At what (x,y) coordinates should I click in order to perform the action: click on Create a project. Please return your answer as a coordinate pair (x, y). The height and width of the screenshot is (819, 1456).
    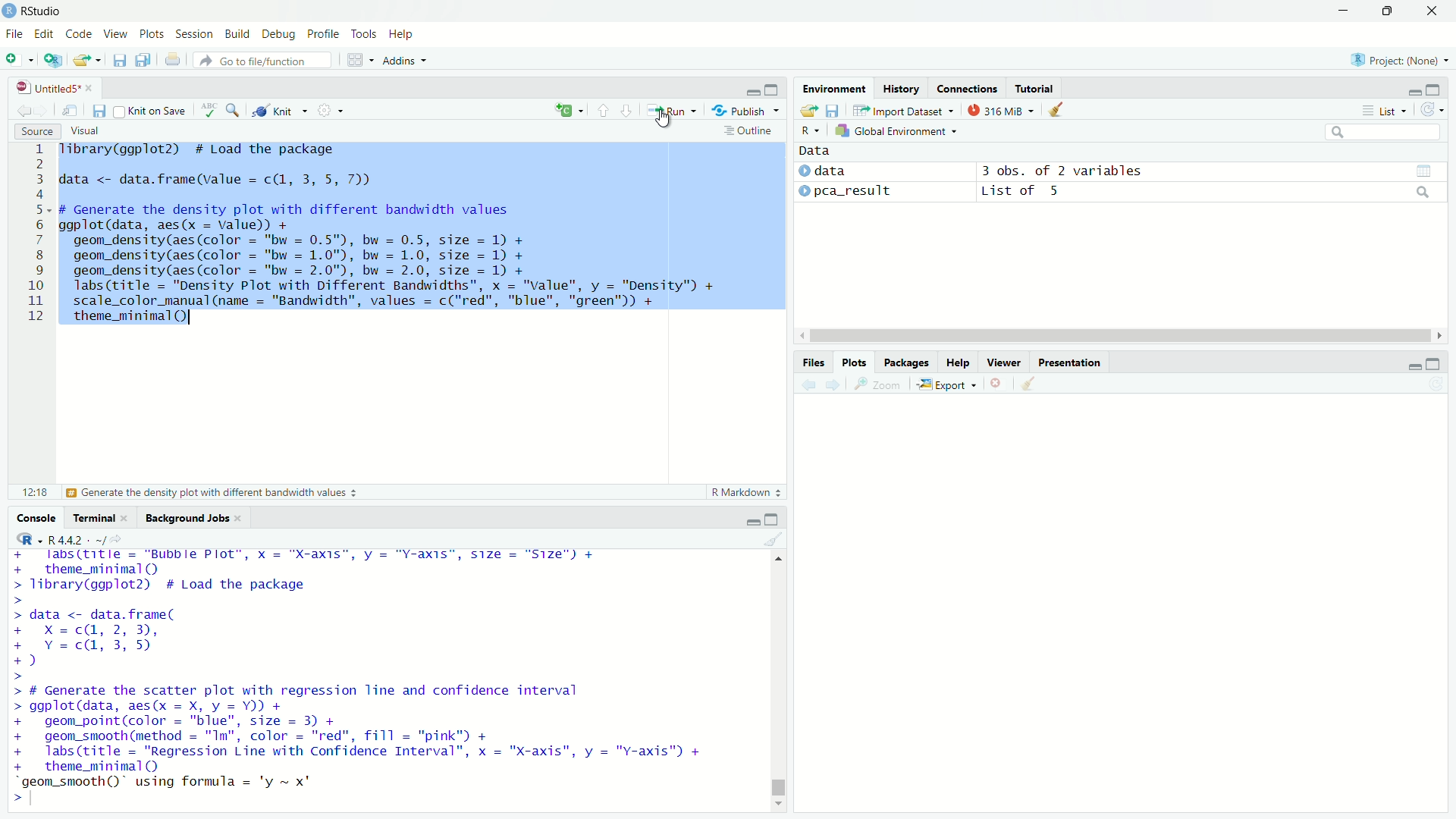
    Looking at the image, I should click on (54, 59).